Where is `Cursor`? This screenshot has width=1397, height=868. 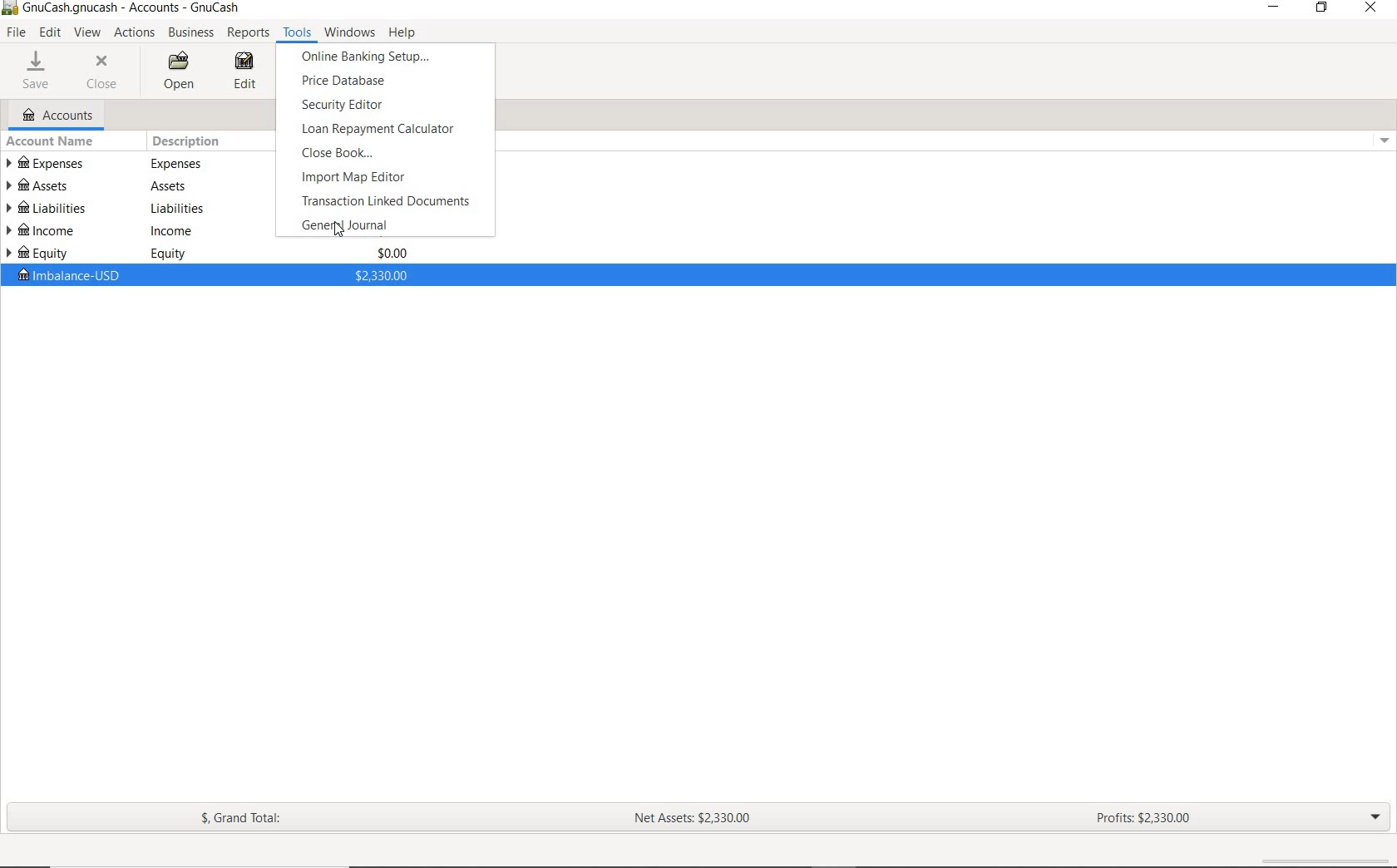 Cursor is located at coordinates (340, 230).